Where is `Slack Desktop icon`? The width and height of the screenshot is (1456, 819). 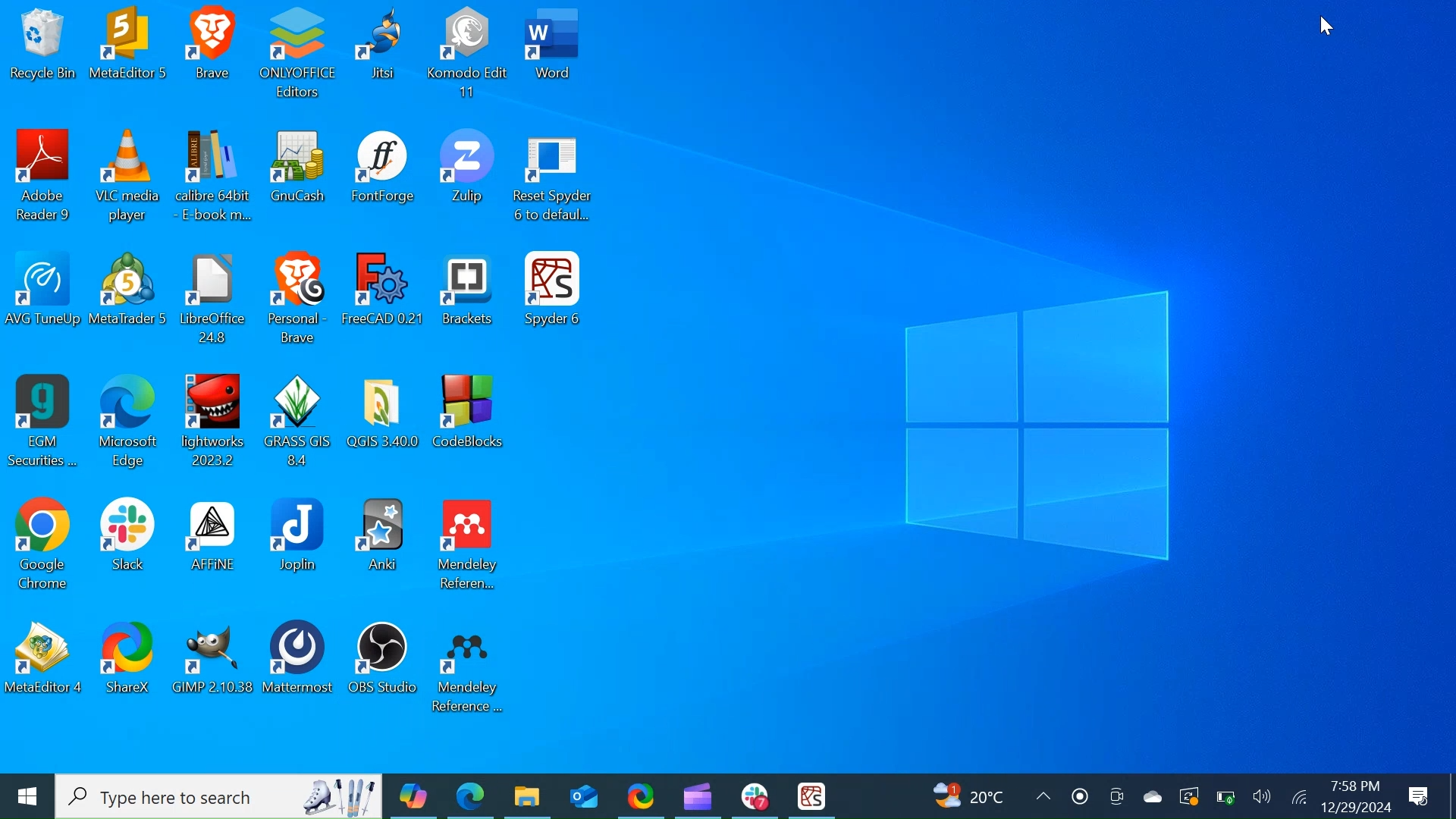 Slack Desktop icon is located at coordinates (752, 796).